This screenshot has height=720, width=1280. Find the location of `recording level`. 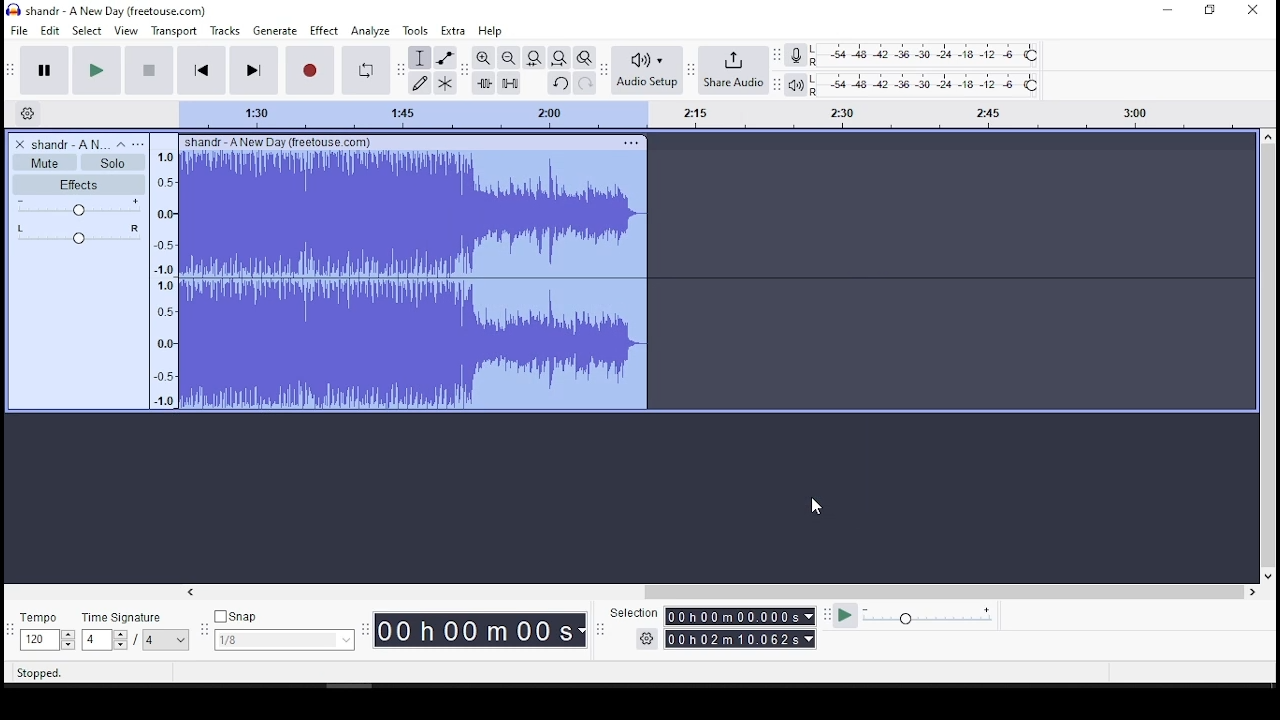

recording level is located at coordinates (926, 55).